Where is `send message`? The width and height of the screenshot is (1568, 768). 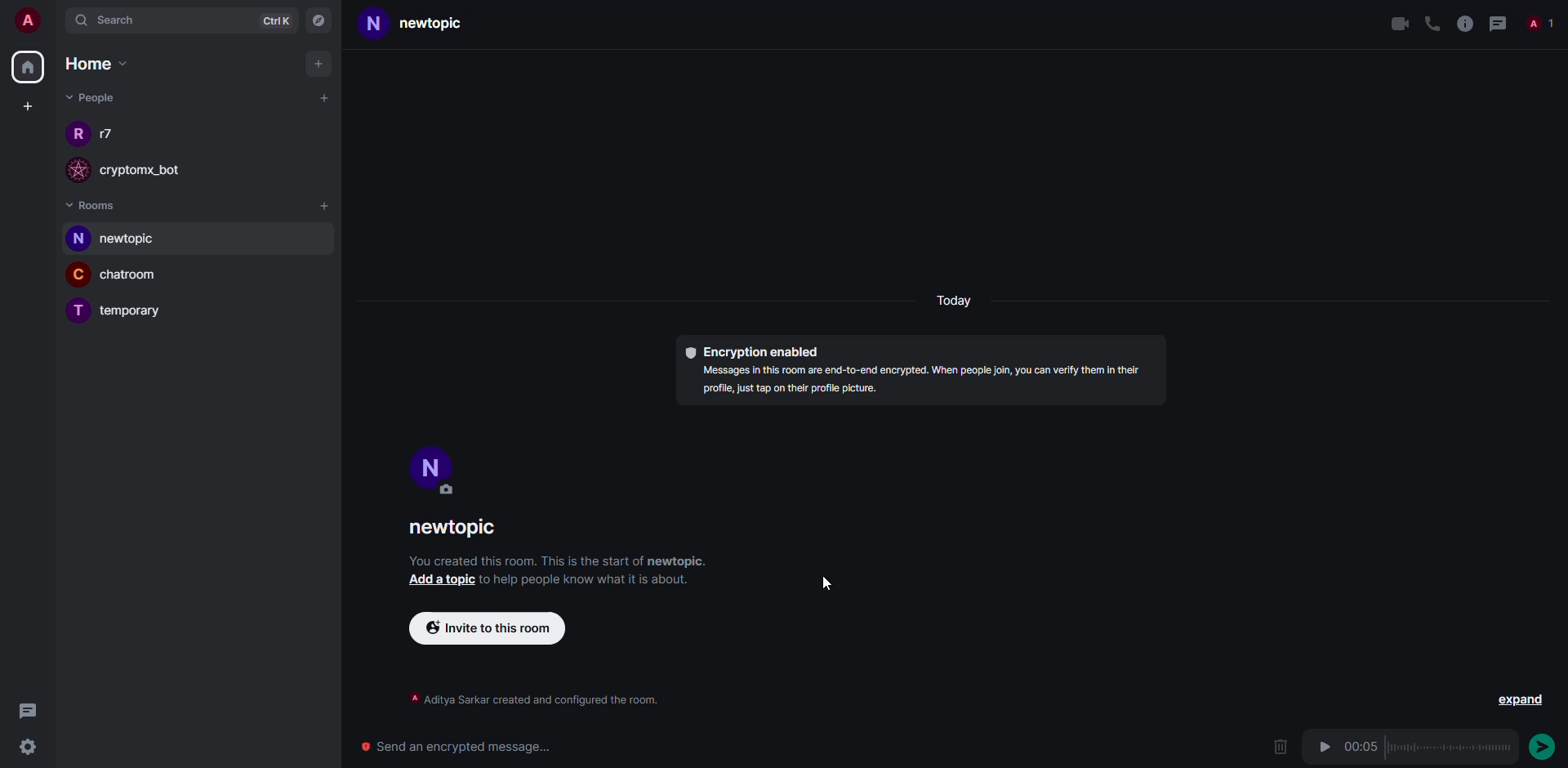 send message is located at coordinates (1543, 746).